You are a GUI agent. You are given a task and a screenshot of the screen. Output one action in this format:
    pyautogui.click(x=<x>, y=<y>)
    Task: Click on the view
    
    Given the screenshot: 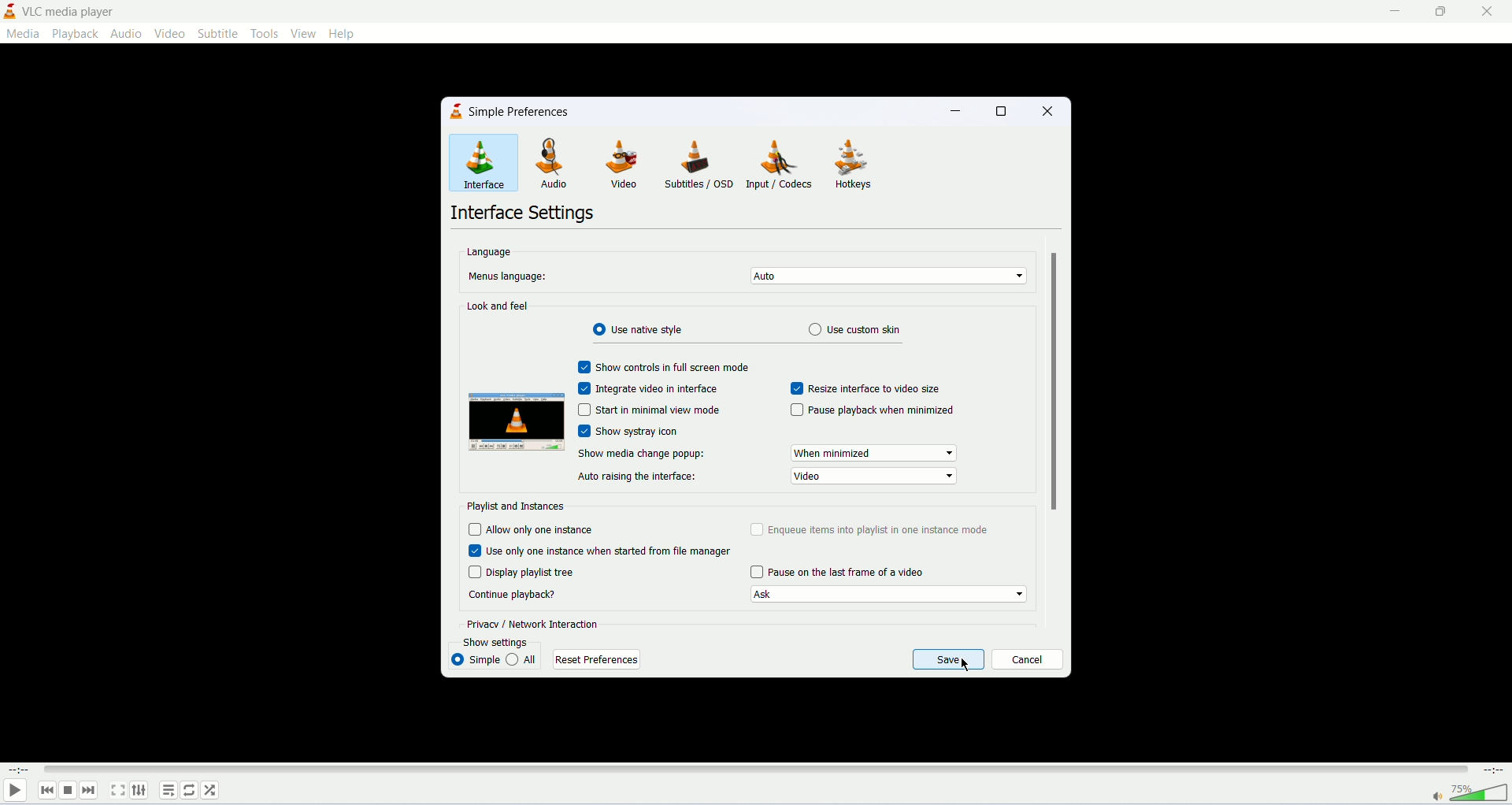 What is the action you would take?
    pyautogui.click(x=303, y=33)
    